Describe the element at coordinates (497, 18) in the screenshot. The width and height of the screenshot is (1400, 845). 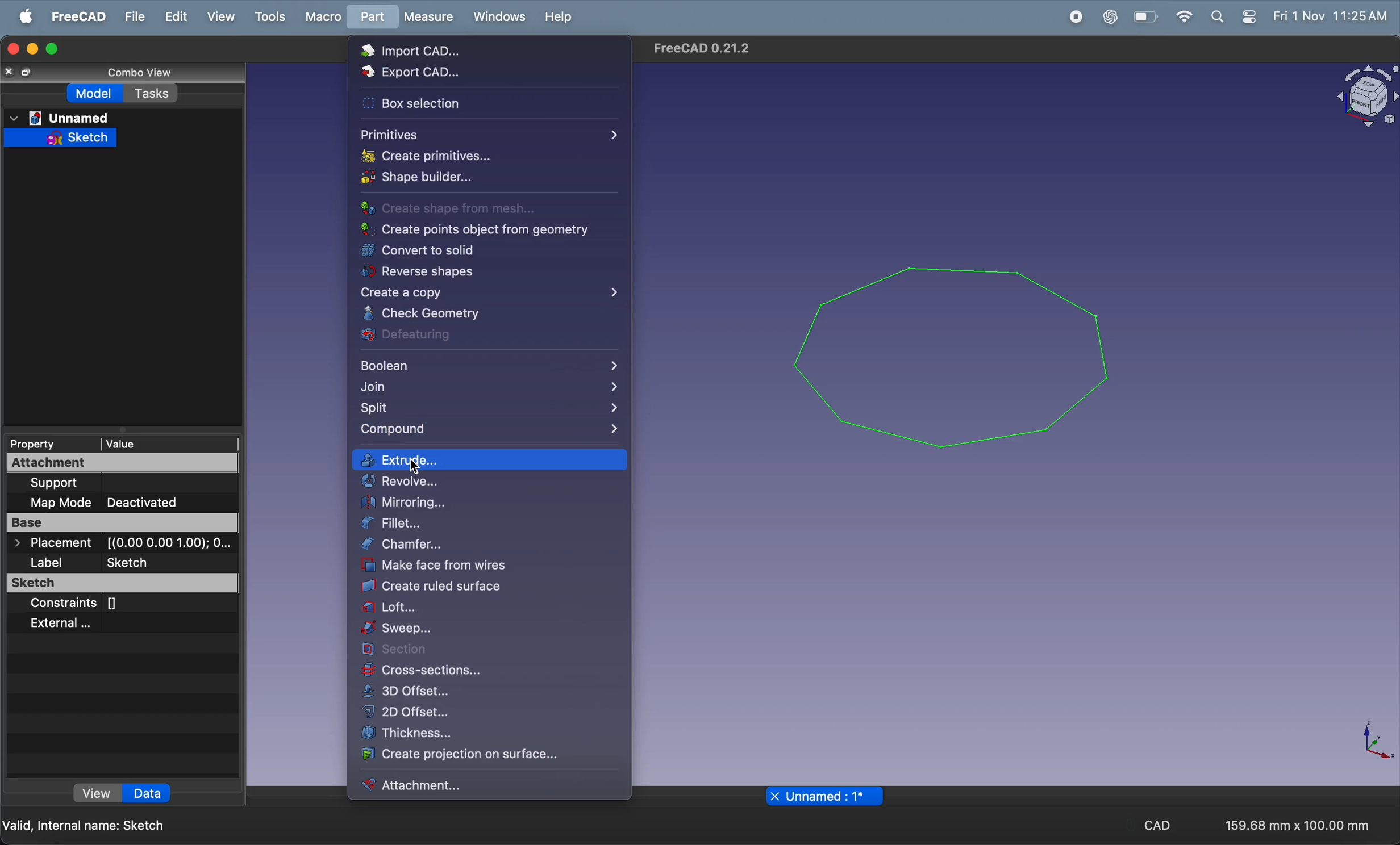
I see `windows` at that location.